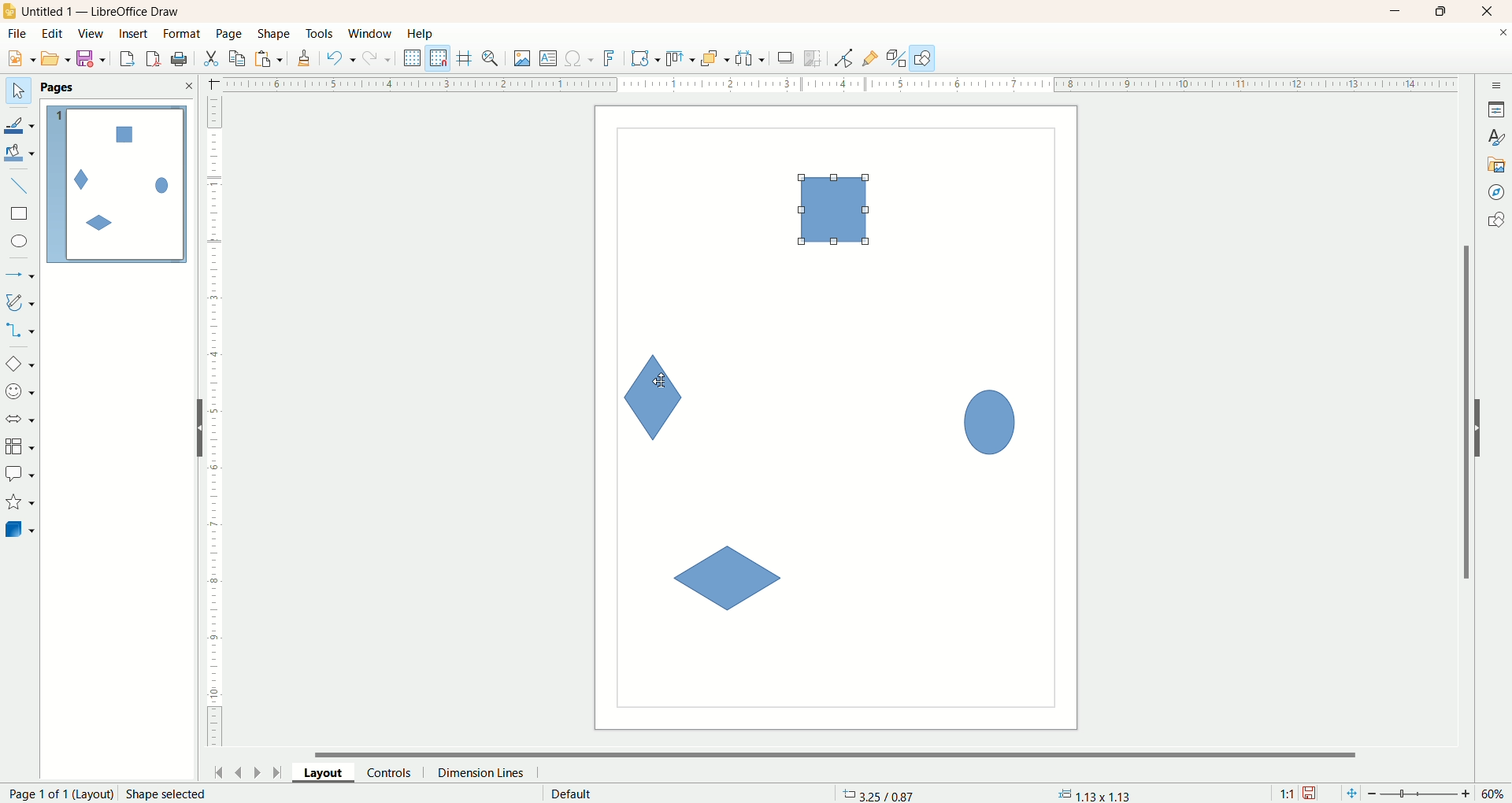 The height and width of the screenshot is (803, 1512). Describe the element at coordinates (210, 58) in the screenshot. I see `cut` at that location.